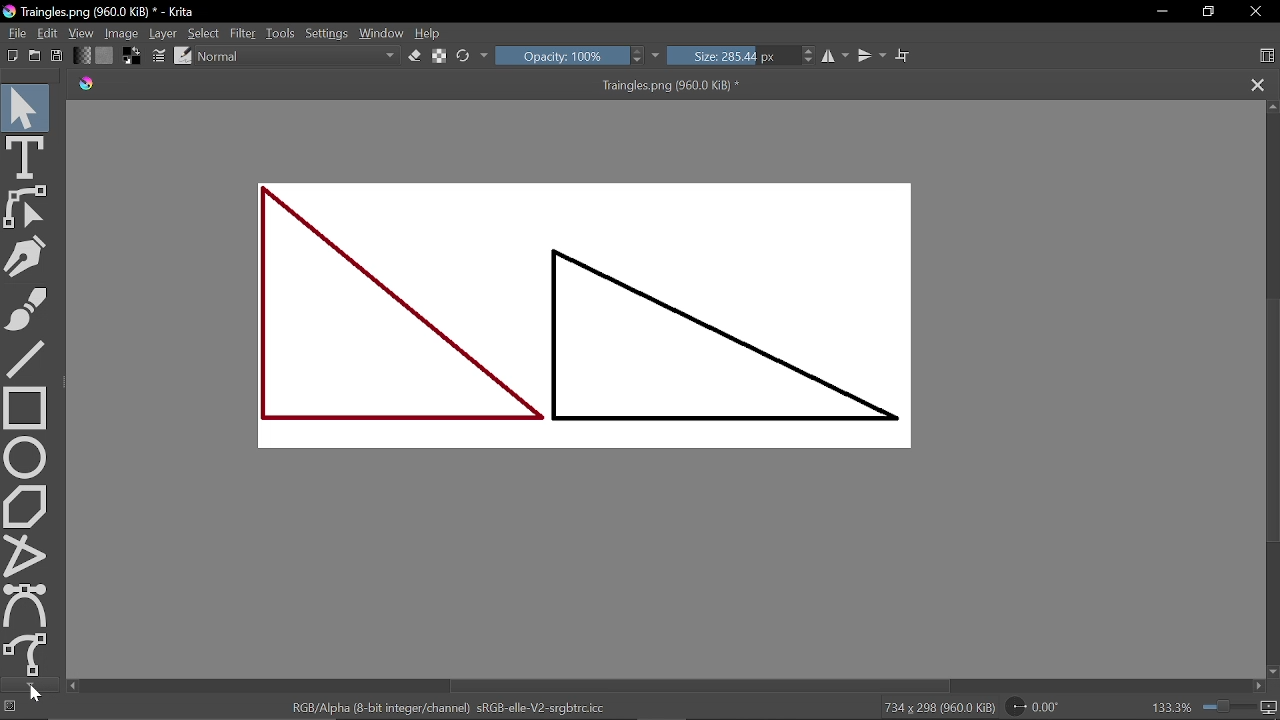 Image resolution: width=1280 pixels, height=720 pixels. What do you see at coordinates (1043, 705) in the screenshot?
I see `Rotate` at bounding box center [1043, 705].